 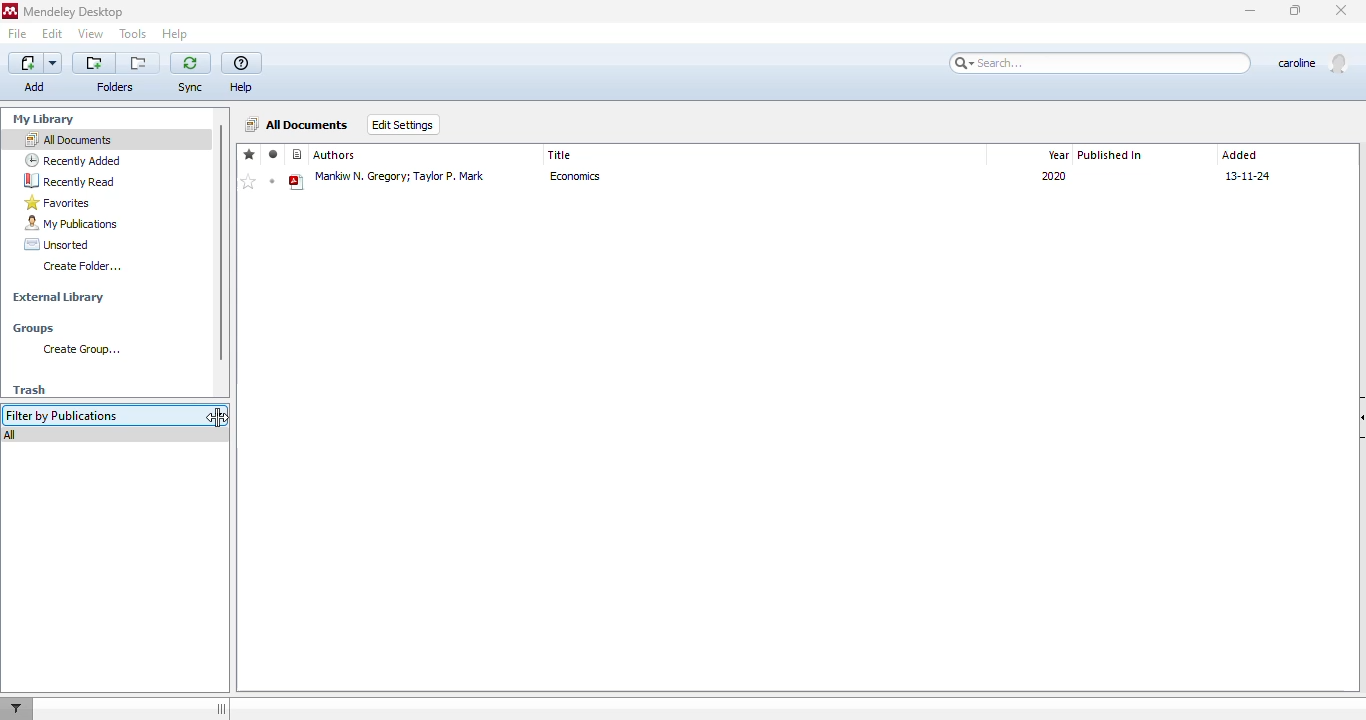 I want to click on reference type, so click(x=298, y=155).